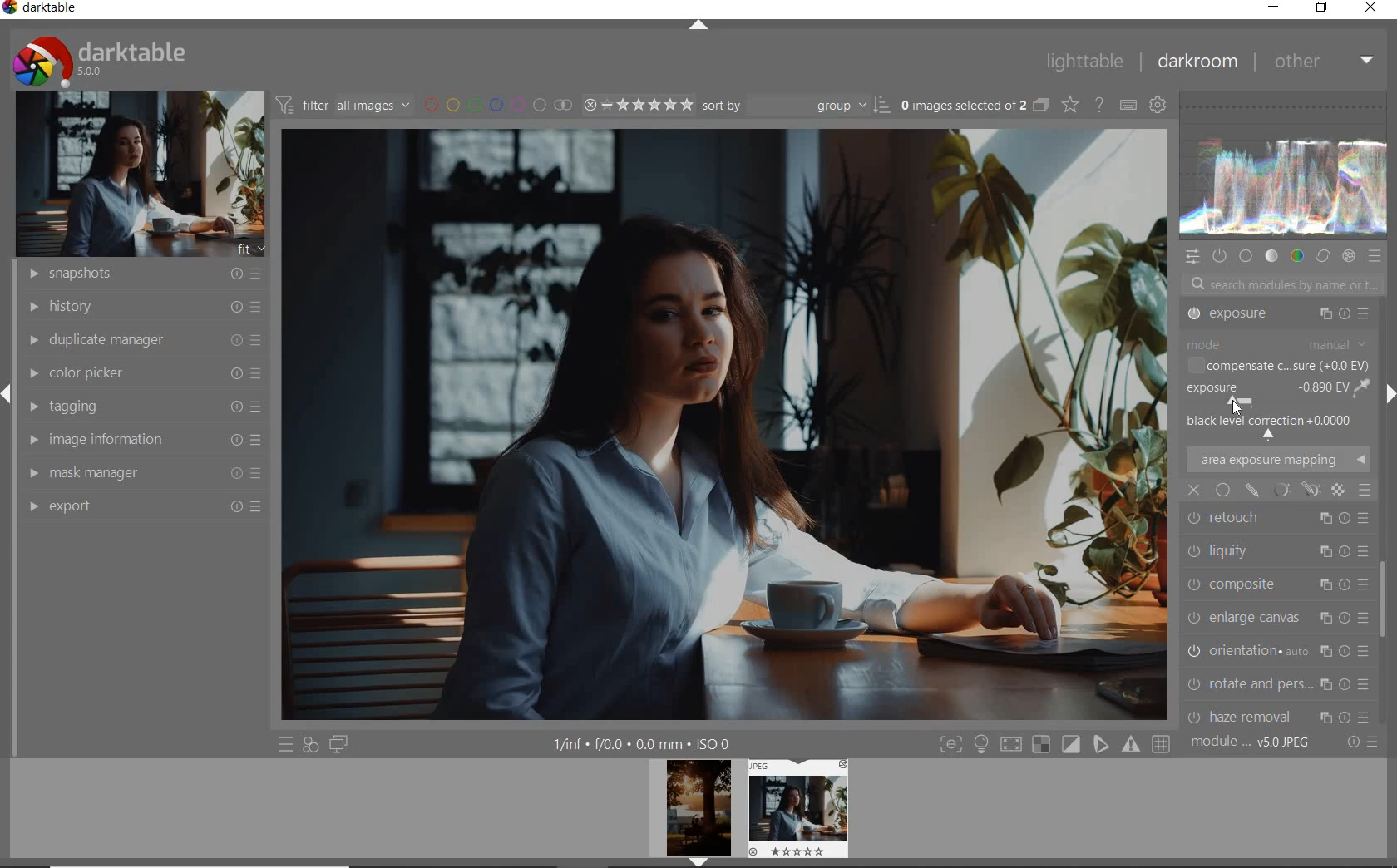  What do you see at coordinates (643, 744) in the screenshot?
I see `OTHER INTERFACE DETAILS` at bounding box center [643, 744].